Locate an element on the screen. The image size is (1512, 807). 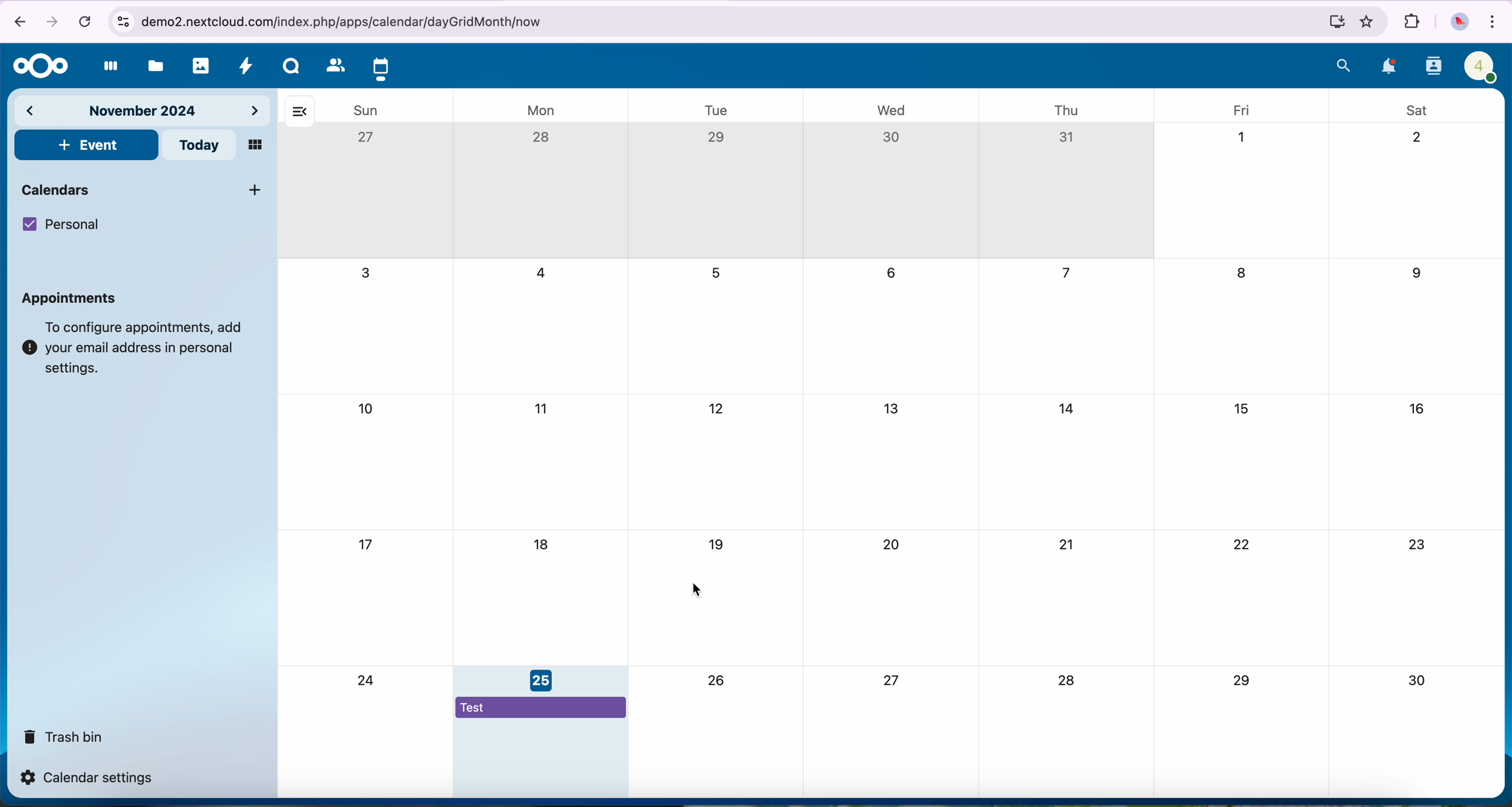
8 is located at coordinates (1244, 276).